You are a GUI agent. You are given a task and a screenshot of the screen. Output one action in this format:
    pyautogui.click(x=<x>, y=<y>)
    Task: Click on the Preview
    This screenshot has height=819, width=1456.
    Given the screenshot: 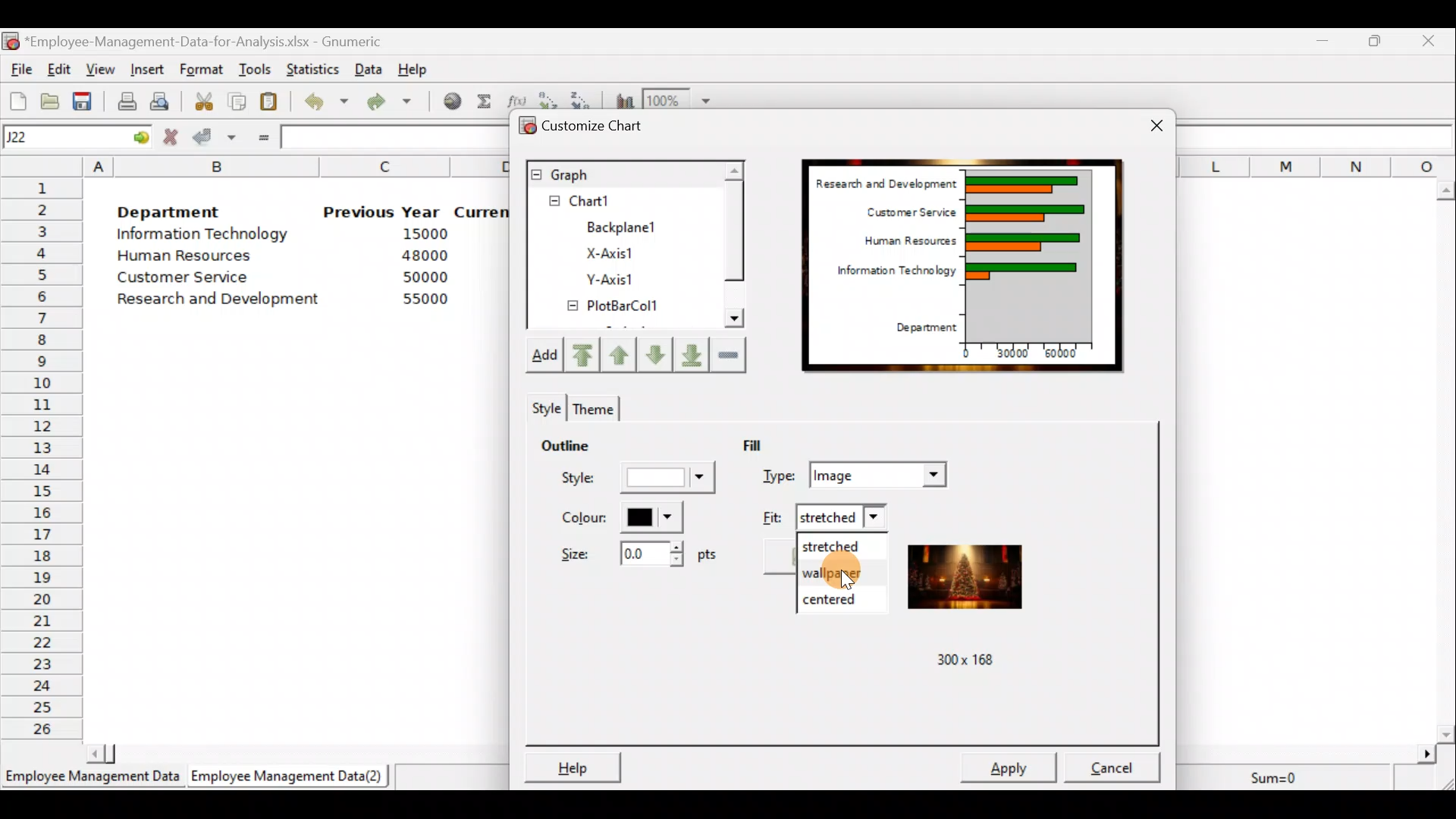 What is the action you would take?
    pyautogui.click(x=971, y=579)
    